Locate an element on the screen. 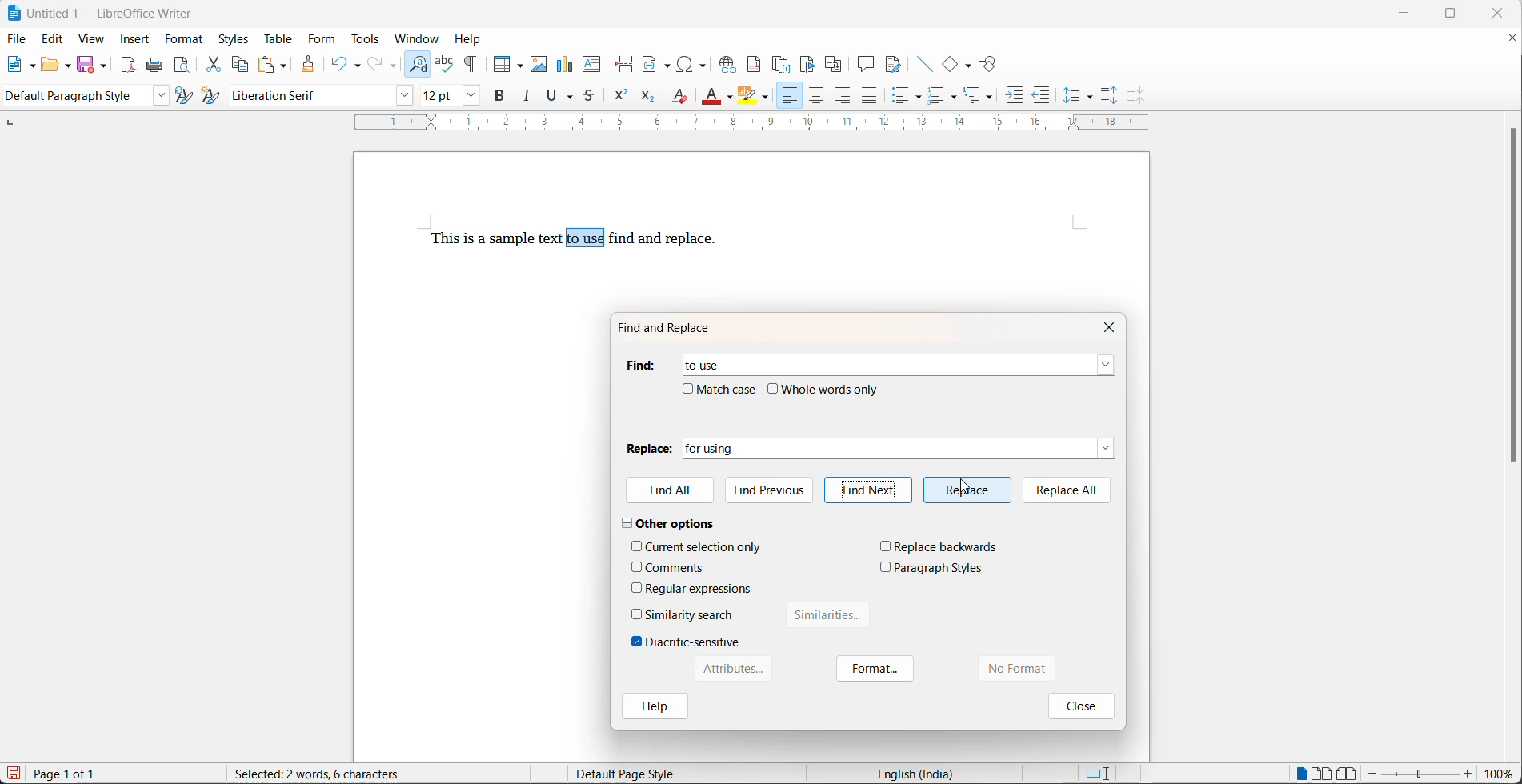 This screenshot has height=784, width=1522. save options is located at coordinates (104, 65).